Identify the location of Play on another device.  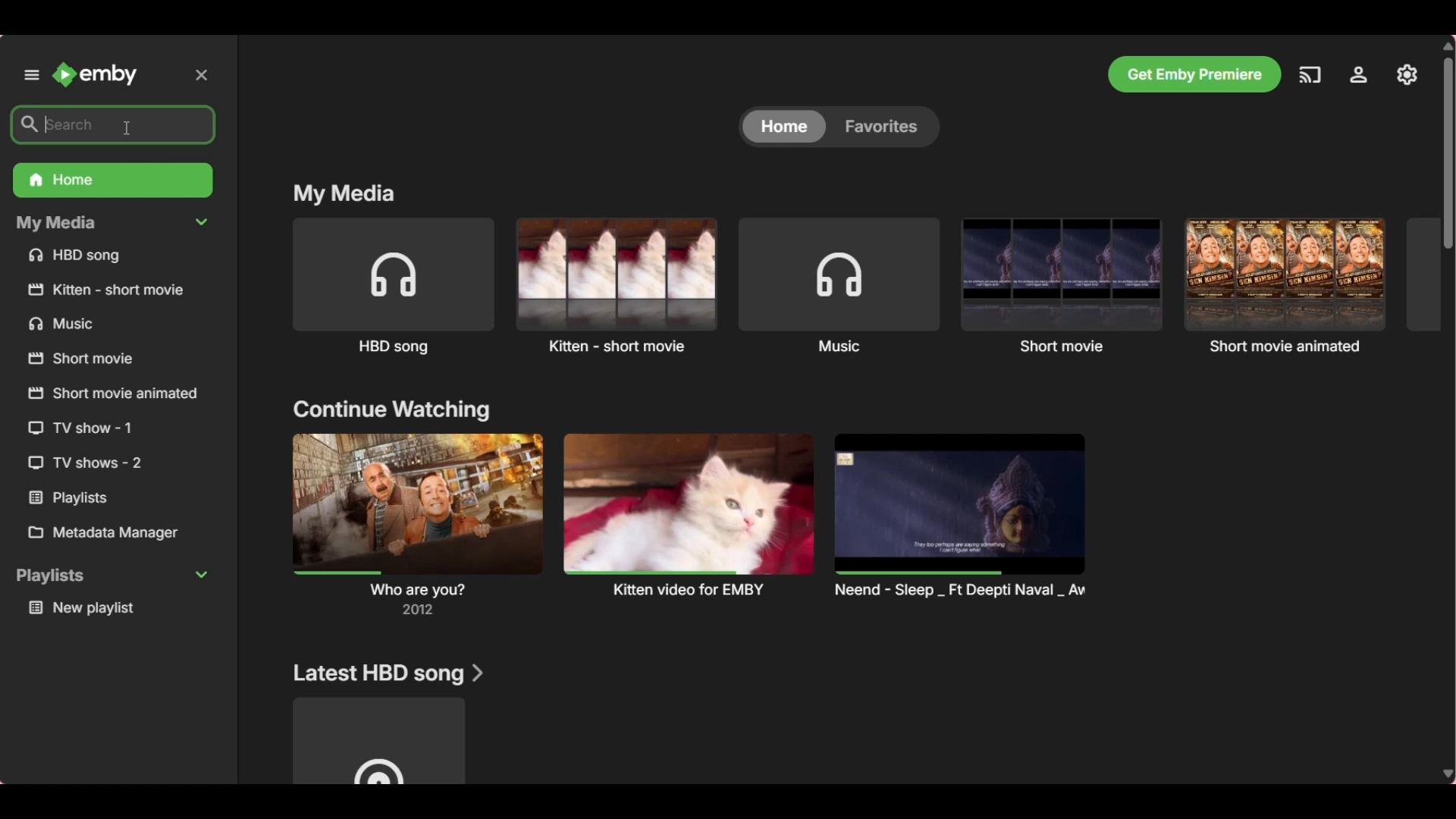
(1310, 75).